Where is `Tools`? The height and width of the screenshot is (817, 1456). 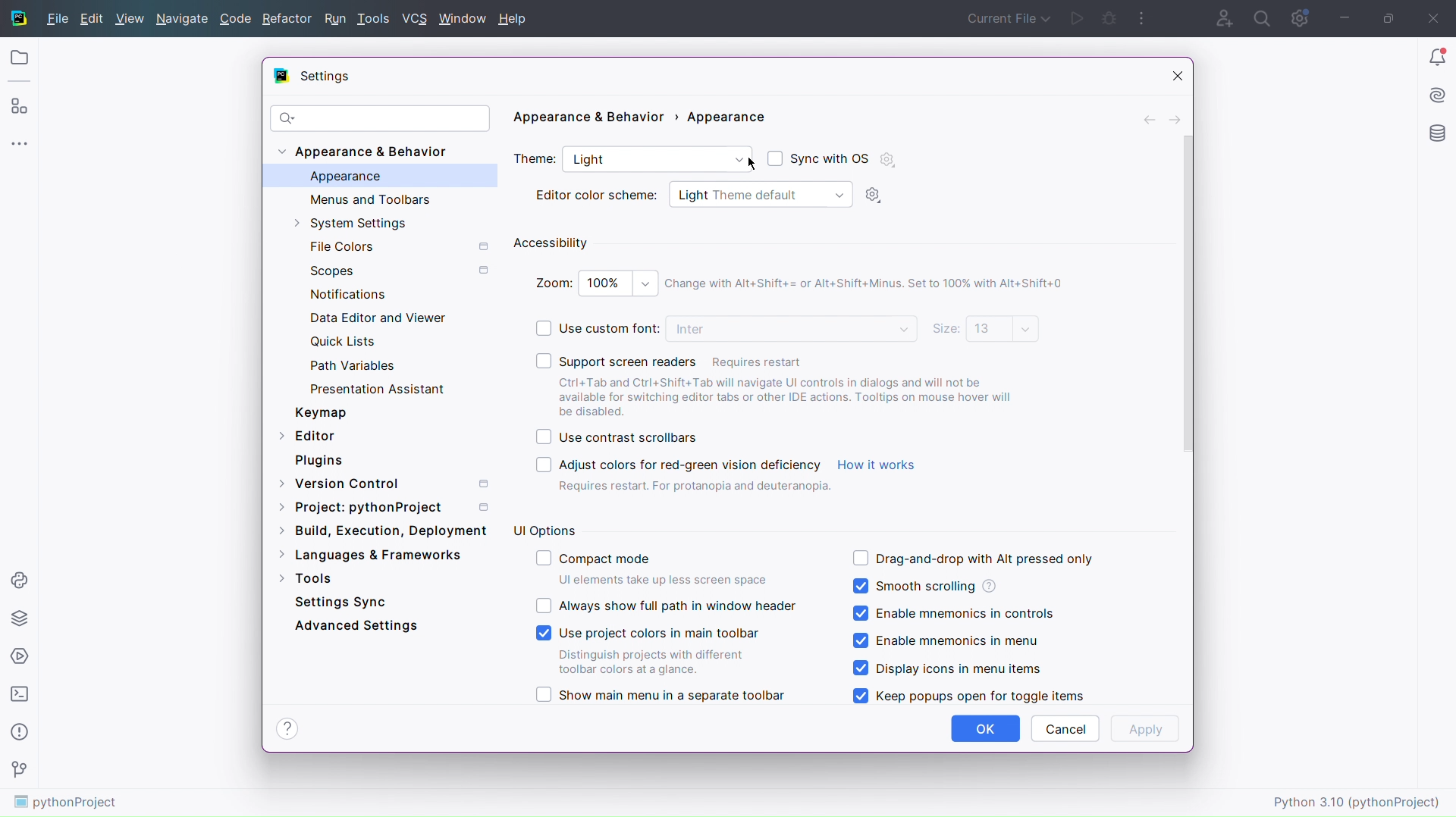
Tools is located at coordinates (375, 19).